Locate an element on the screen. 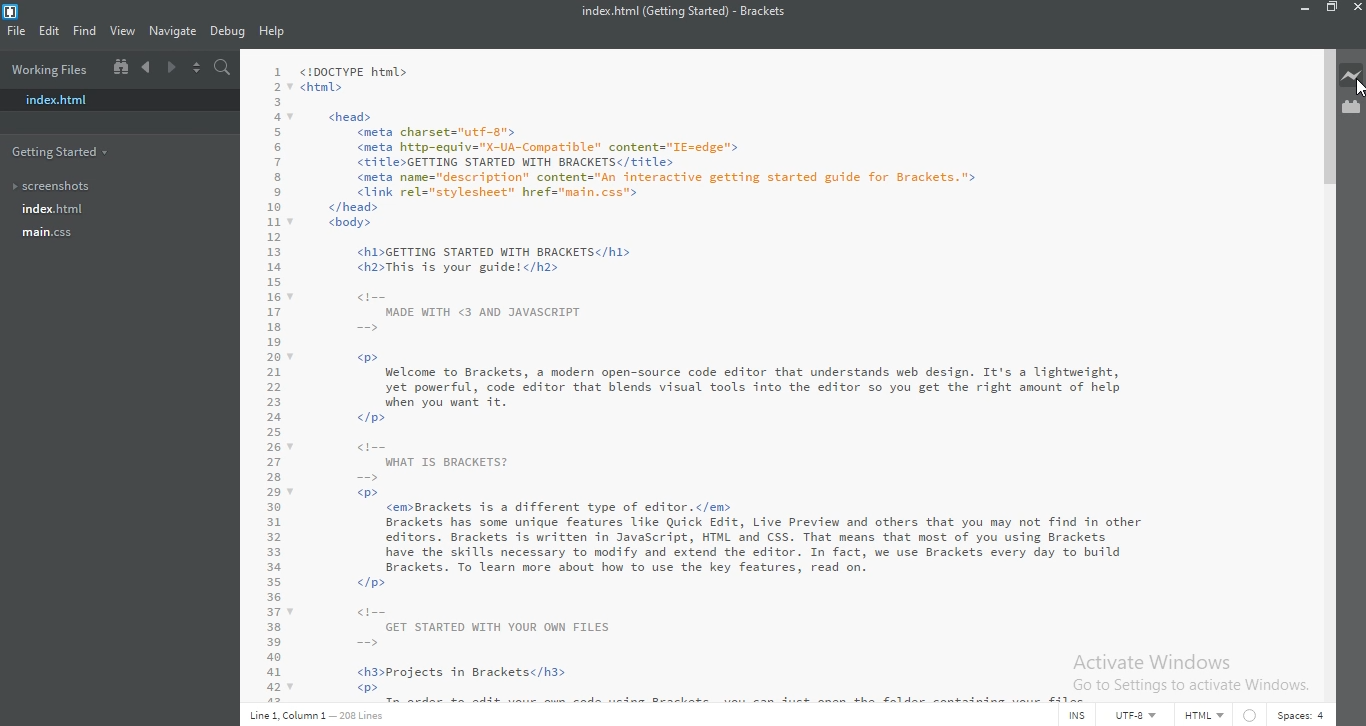 This screenshot has height=726, width=1366. cursor on live preview is located at coordinates (1357, 90).